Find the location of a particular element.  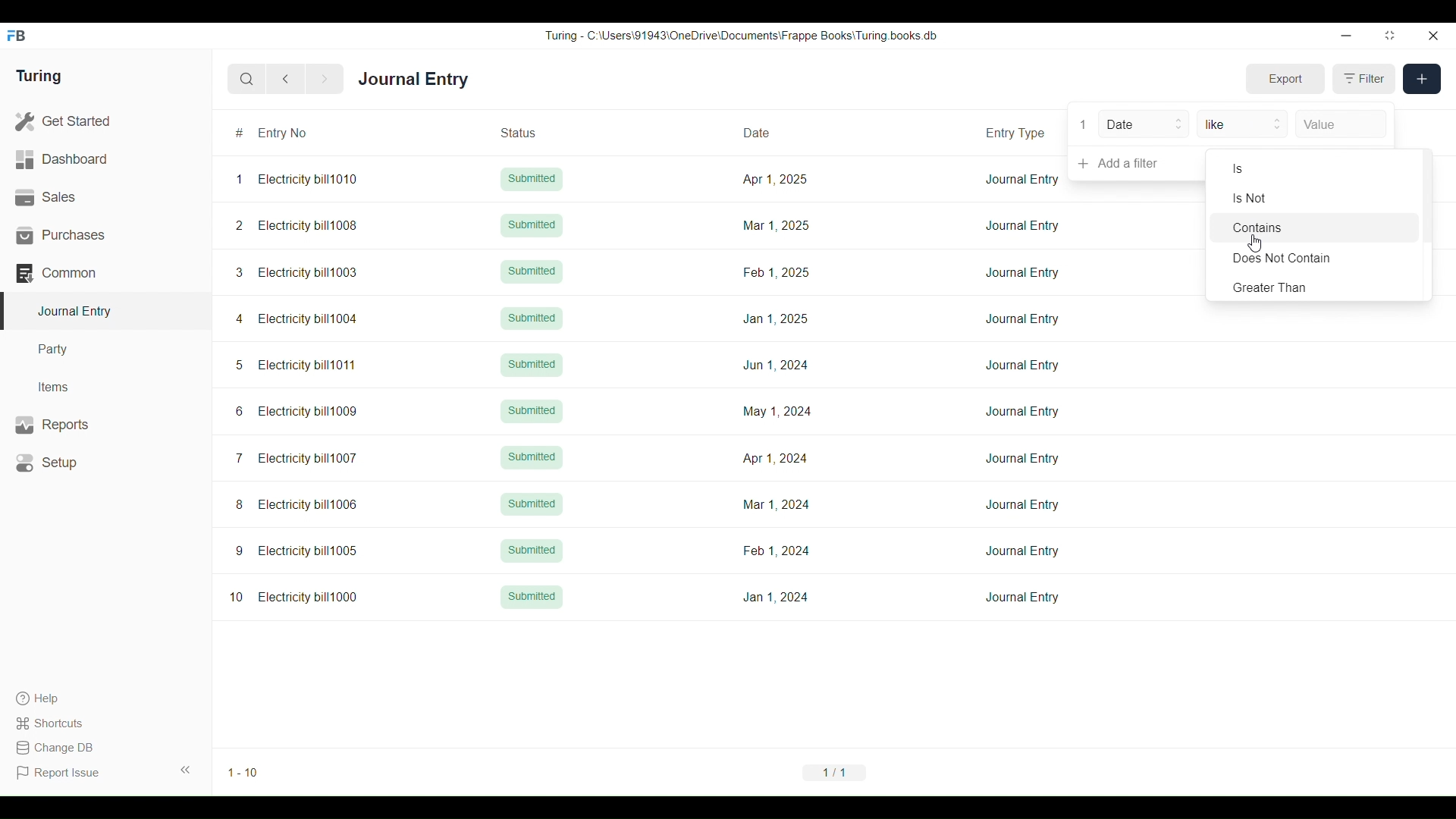

1 is located at coordinates (1084, 124).